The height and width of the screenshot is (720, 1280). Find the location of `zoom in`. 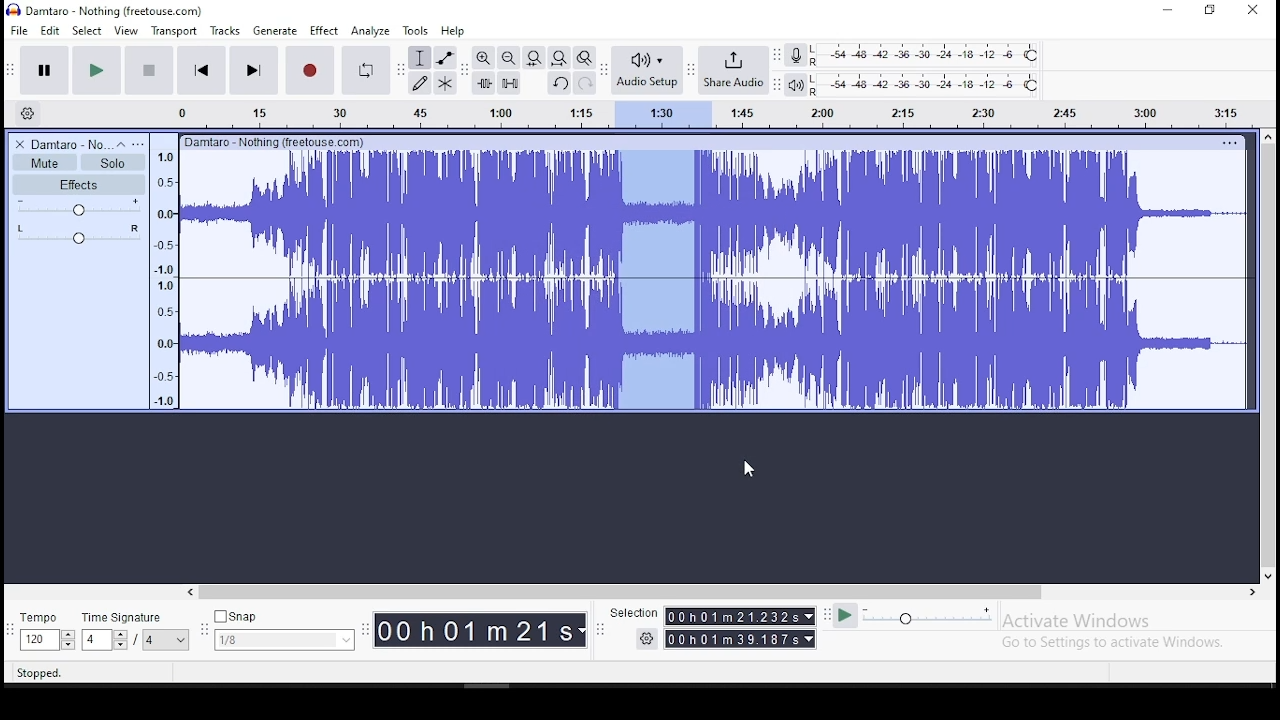

zoom in is located at coordinates (484, 57).